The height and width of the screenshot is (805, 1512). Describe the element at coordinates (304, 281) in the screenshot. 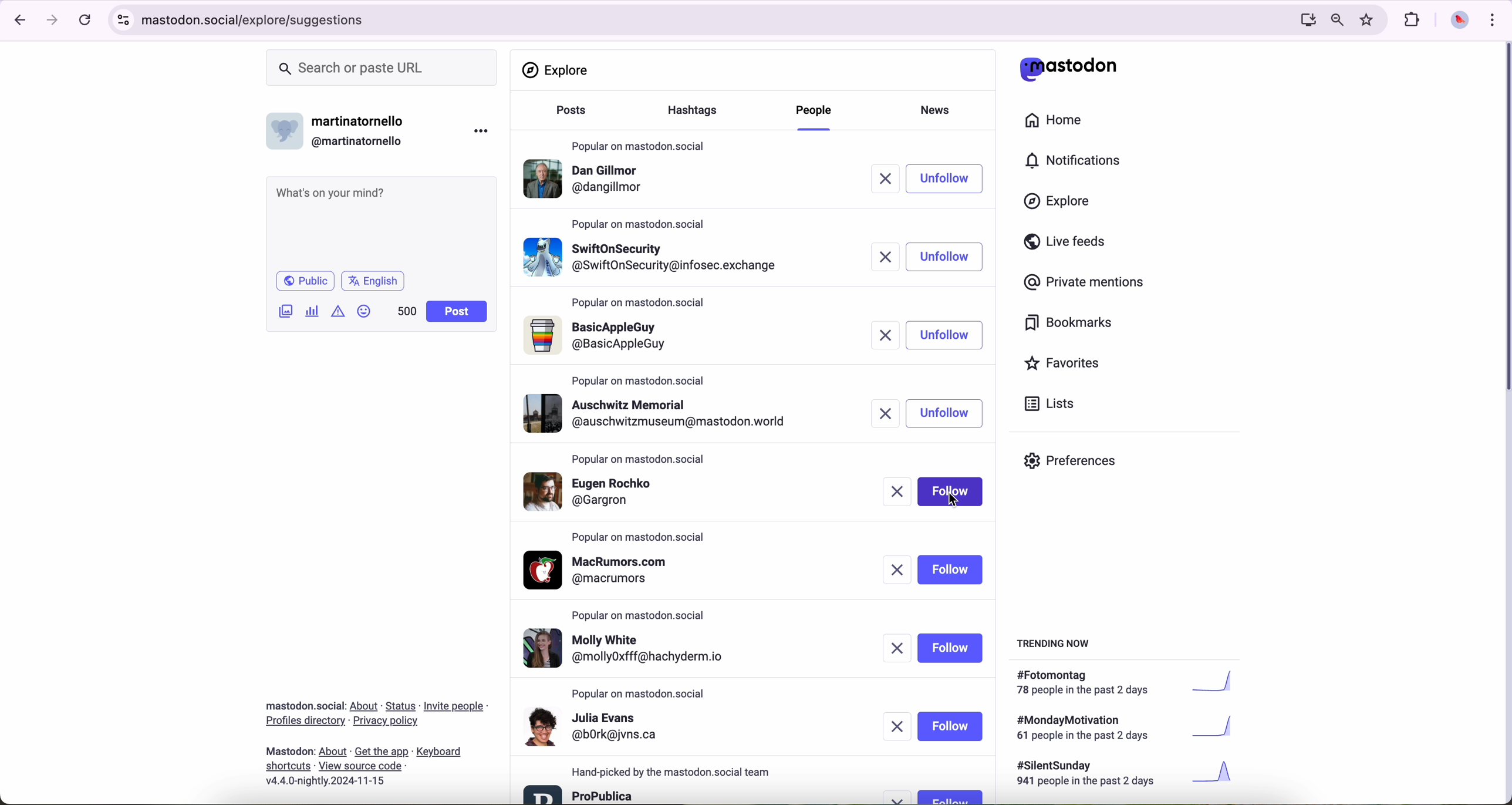

I see `public` at that location.